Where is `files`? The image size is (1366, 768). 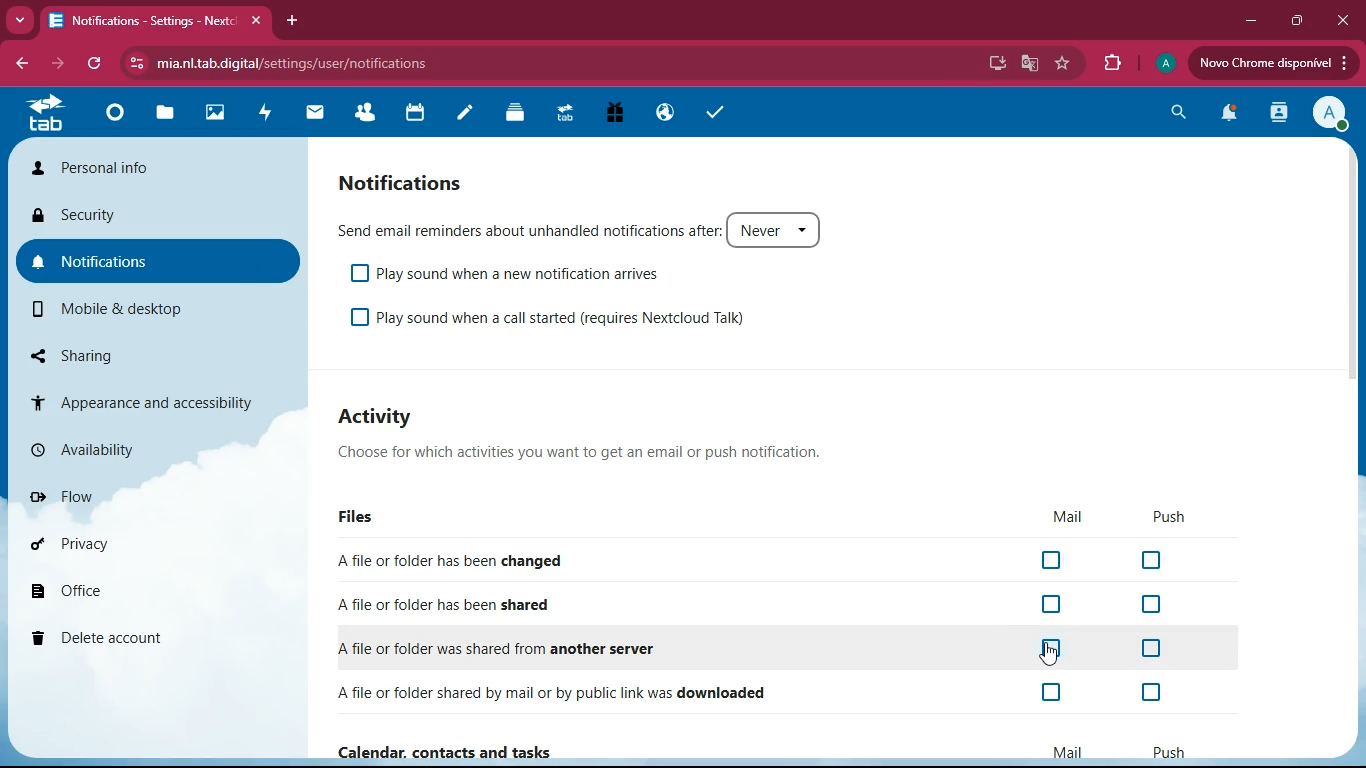
files is located at coordinates (164, 115).